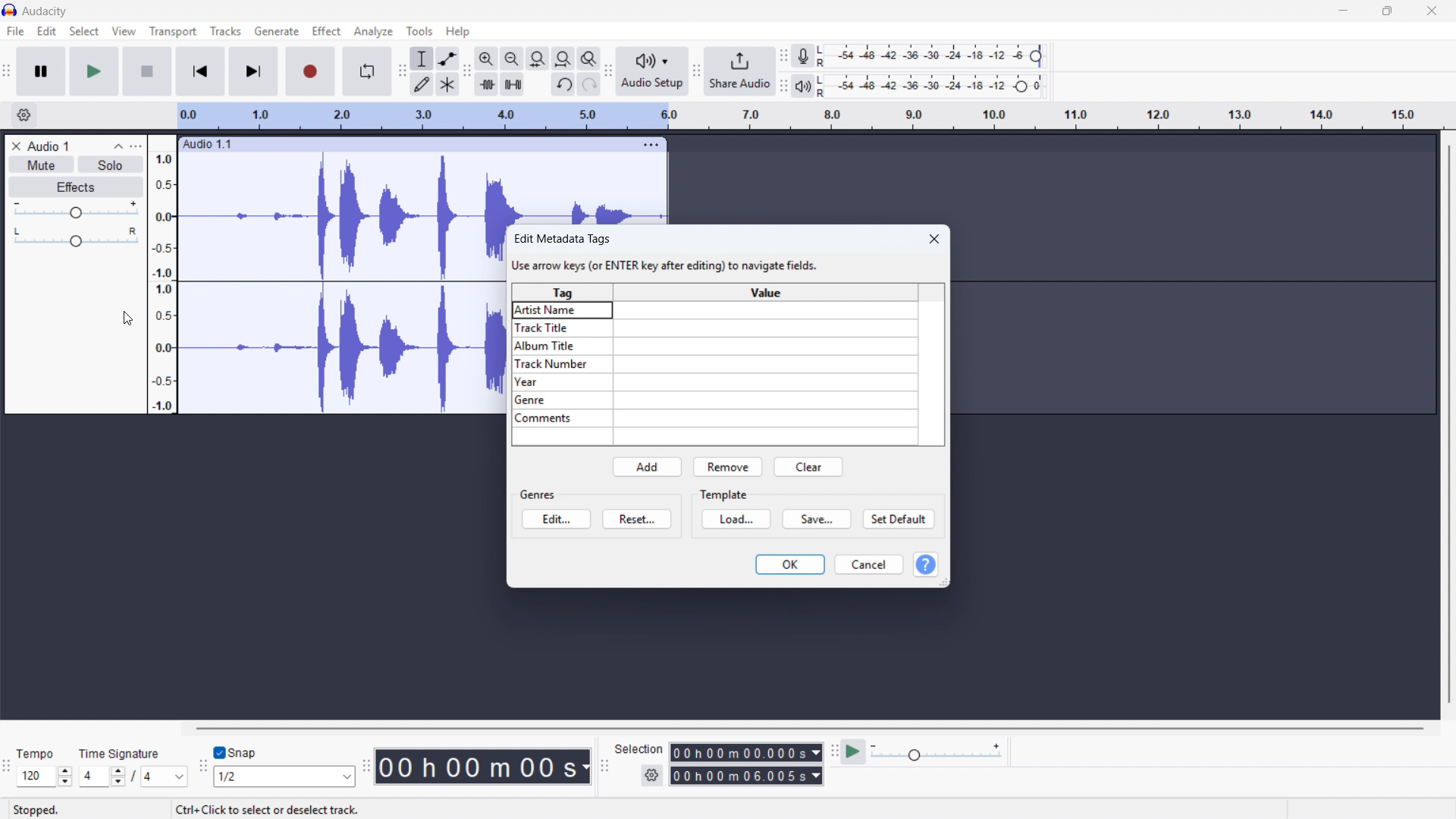 This screenshot has width=1456, height=819. Describe the element at coordinates (136, 146) in the screenshot. I see `traack control panel menu` at that location.